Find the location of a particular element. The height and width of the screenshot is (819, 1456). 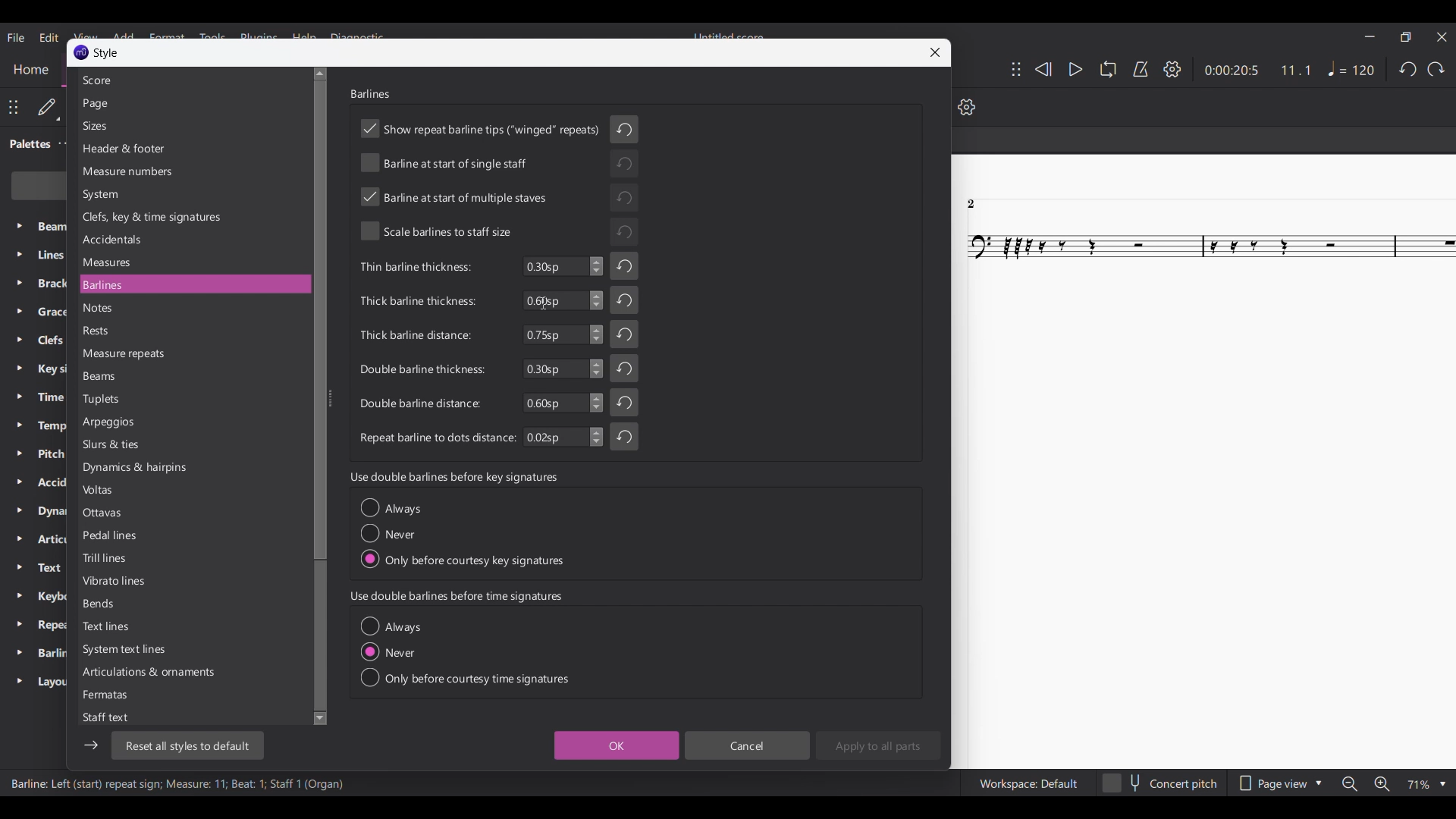

Zoom out is located at coordinates (1350, 784).